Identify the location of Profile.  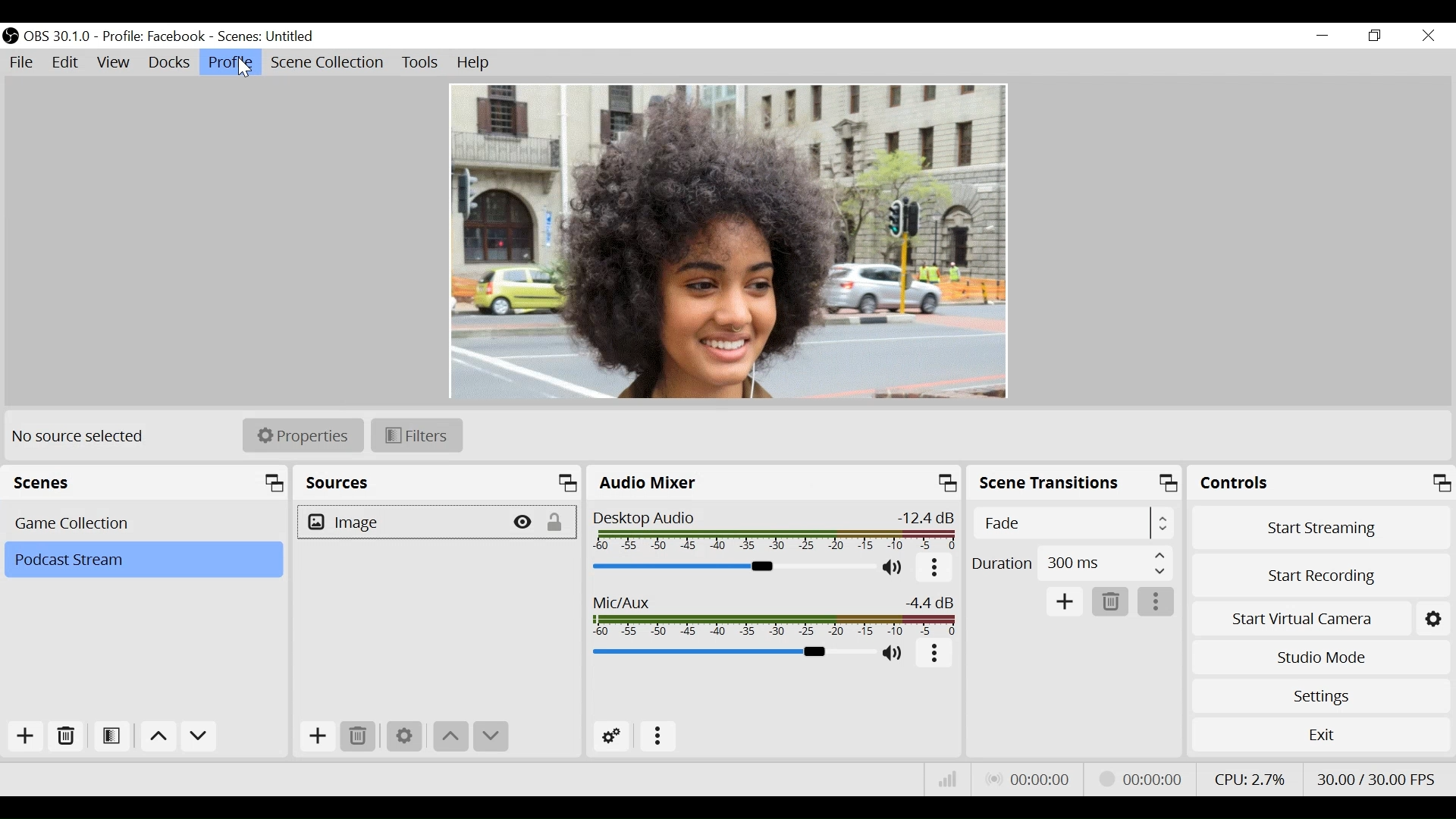
(155, 36).